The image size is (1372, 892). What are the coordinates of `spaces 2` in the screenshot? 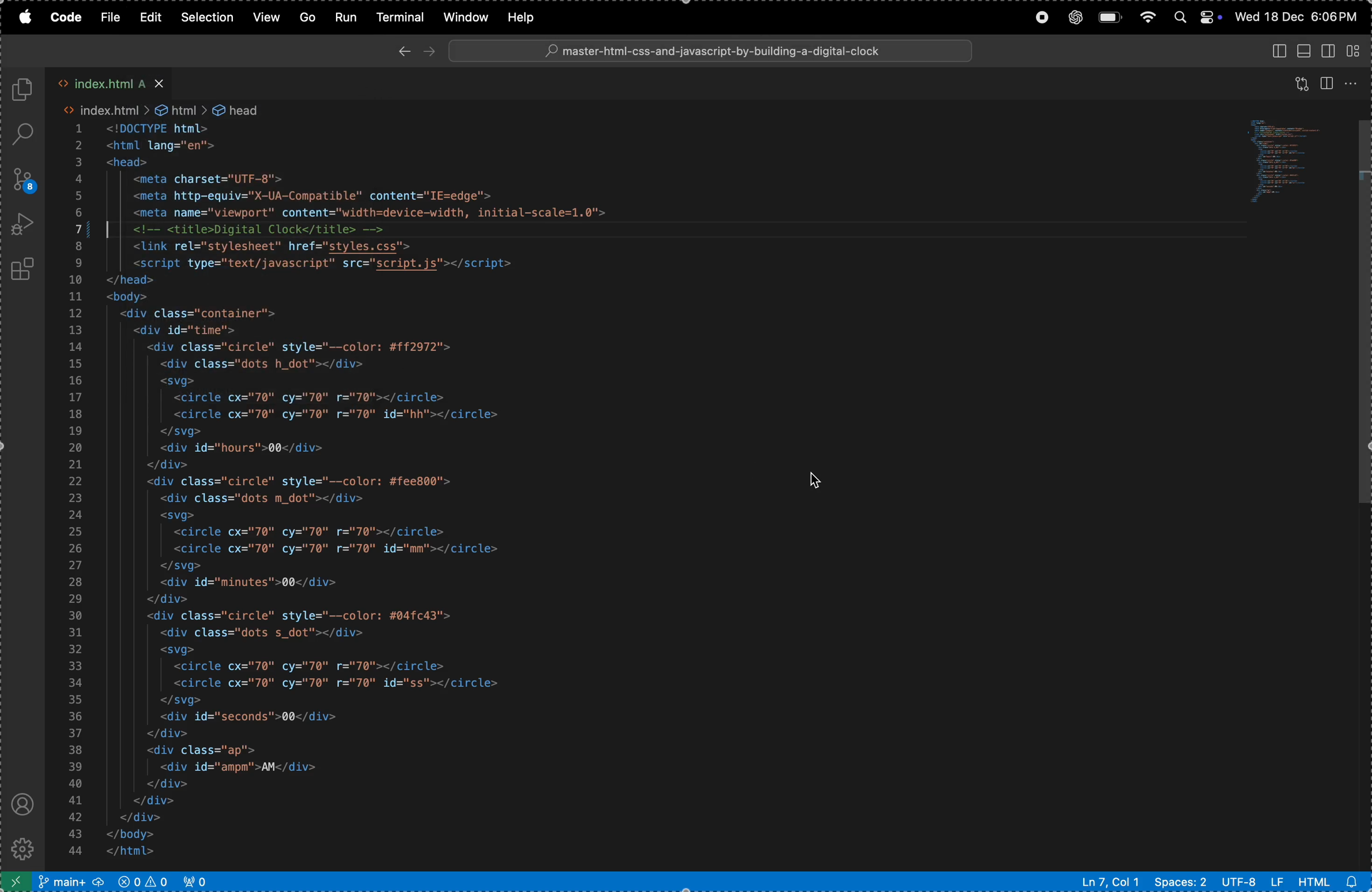 It's located at (1179, 882).